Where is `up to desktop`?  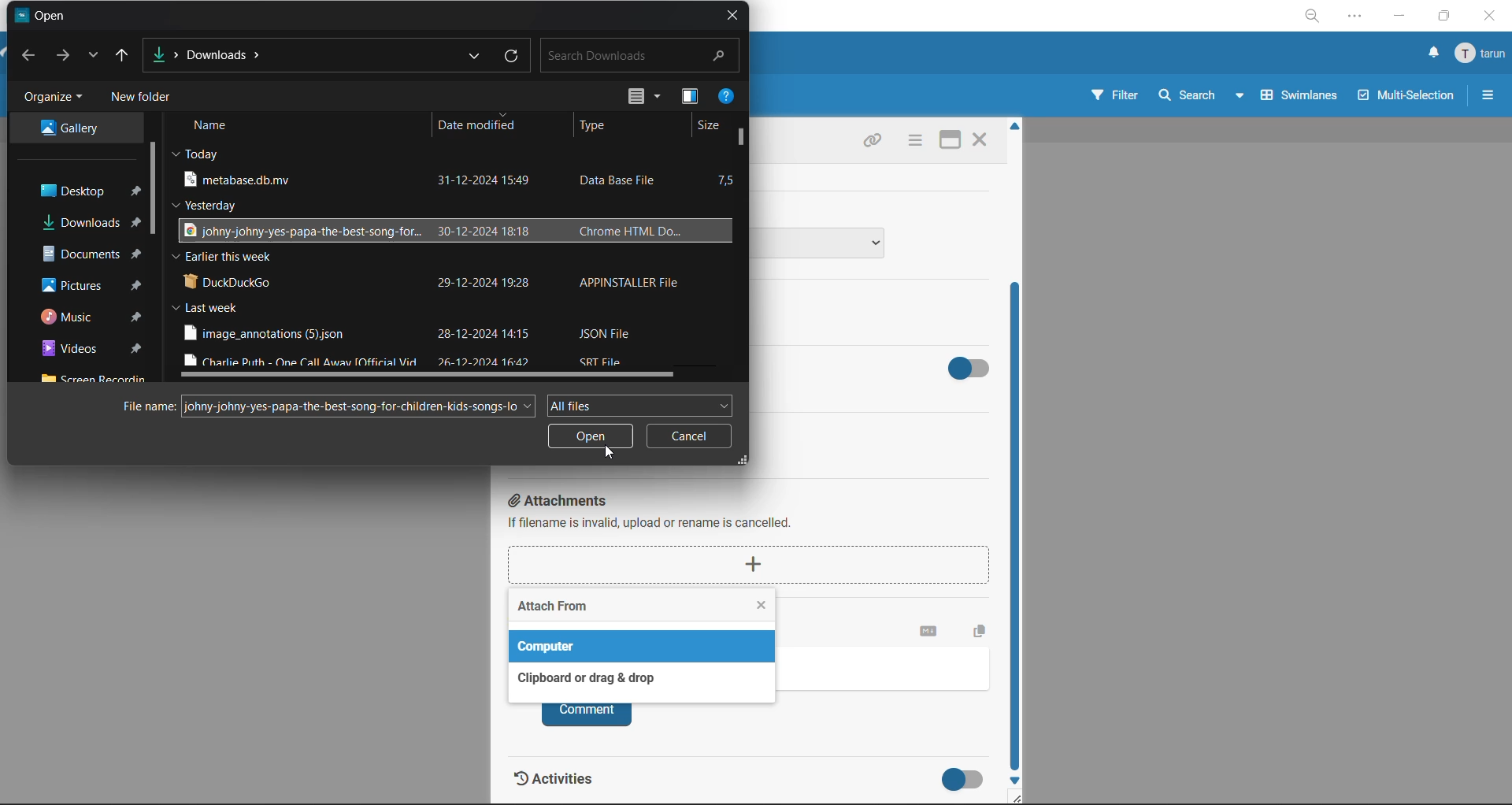
up to desktop is located at coordinates (128, 54).